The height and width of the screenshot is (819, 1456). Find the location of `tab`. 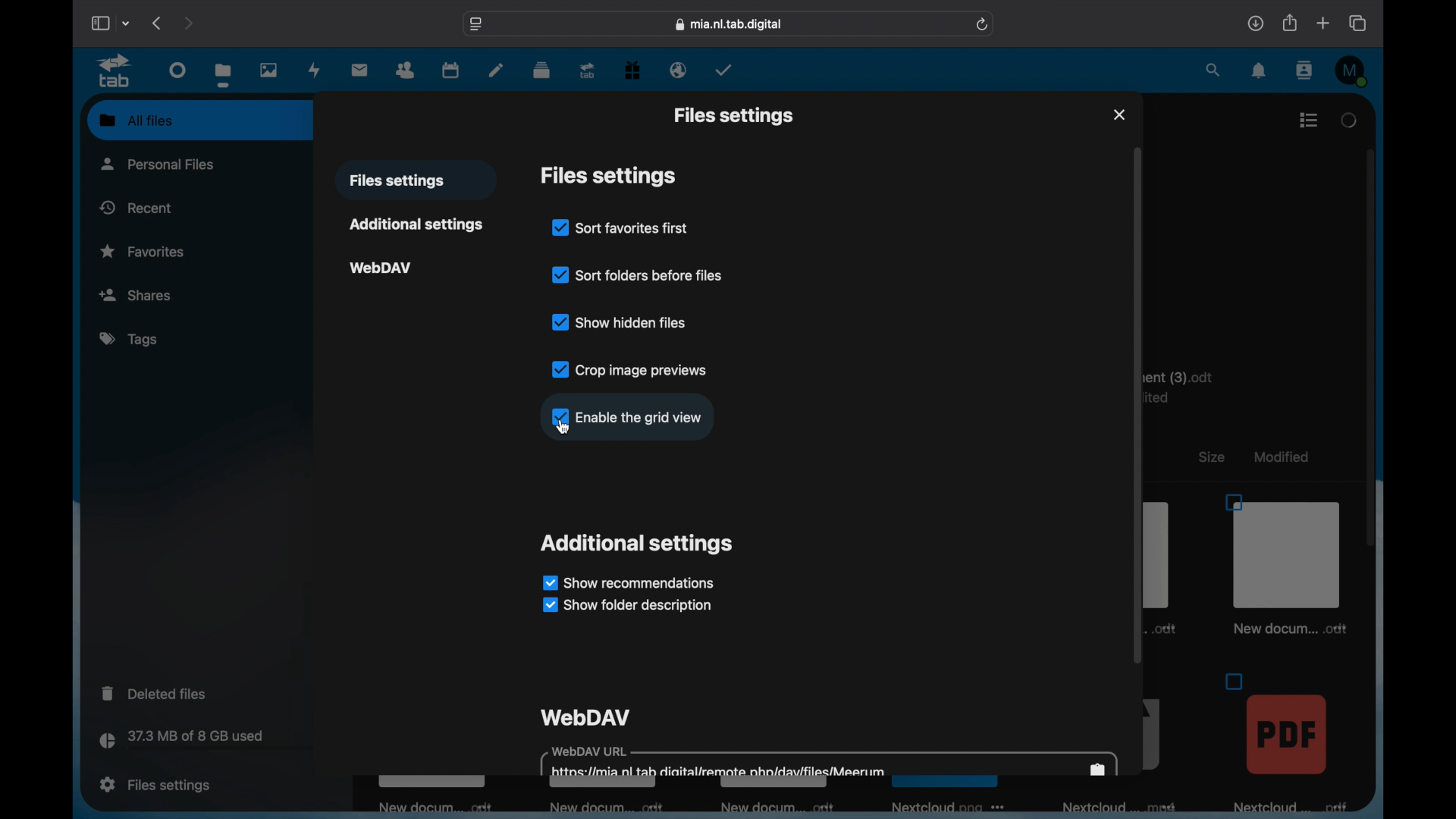

tab is located at coordinates (115, 71).